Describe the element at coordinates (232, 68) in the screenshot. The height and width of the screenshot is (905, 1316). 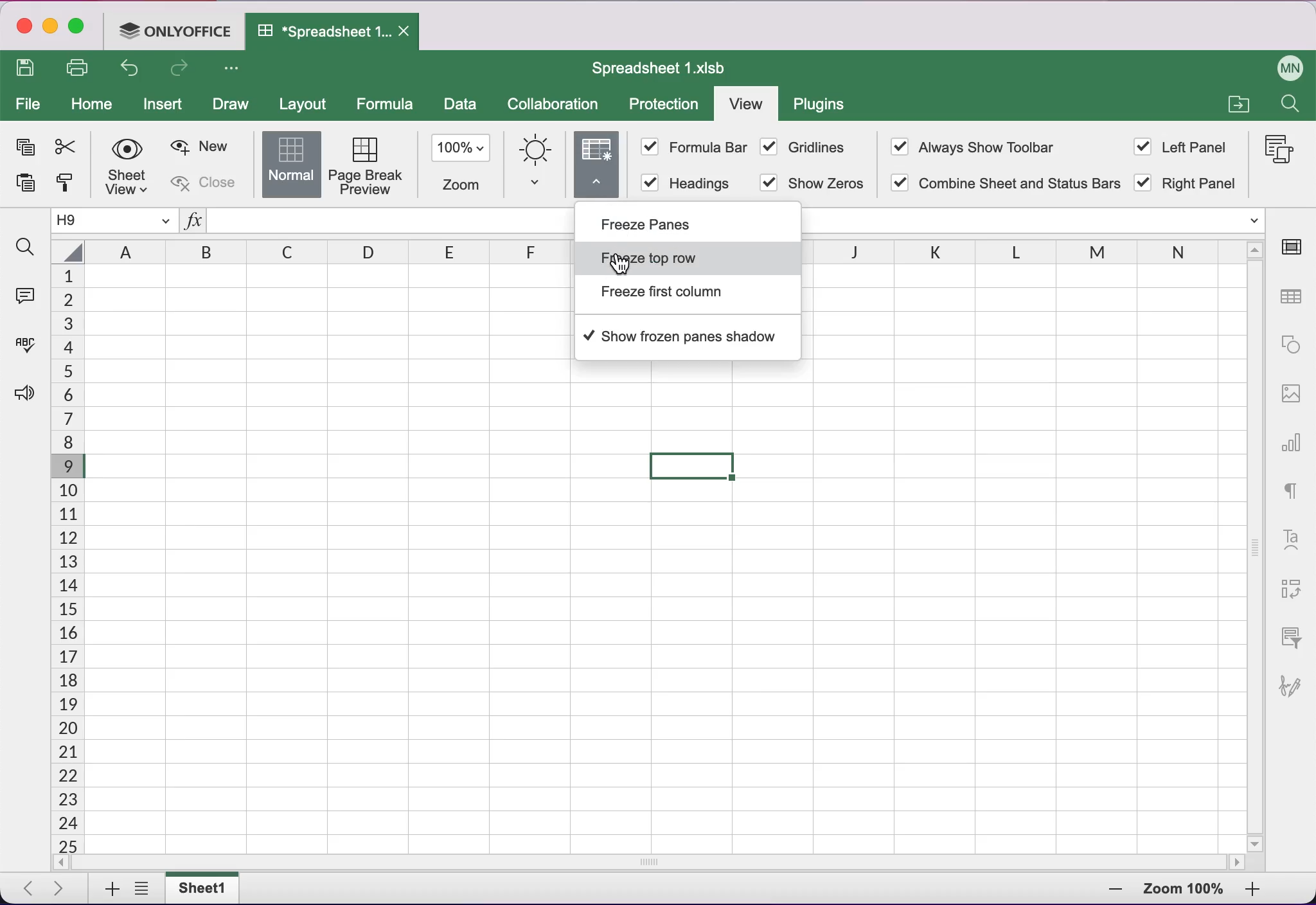
I see `more` at that location.